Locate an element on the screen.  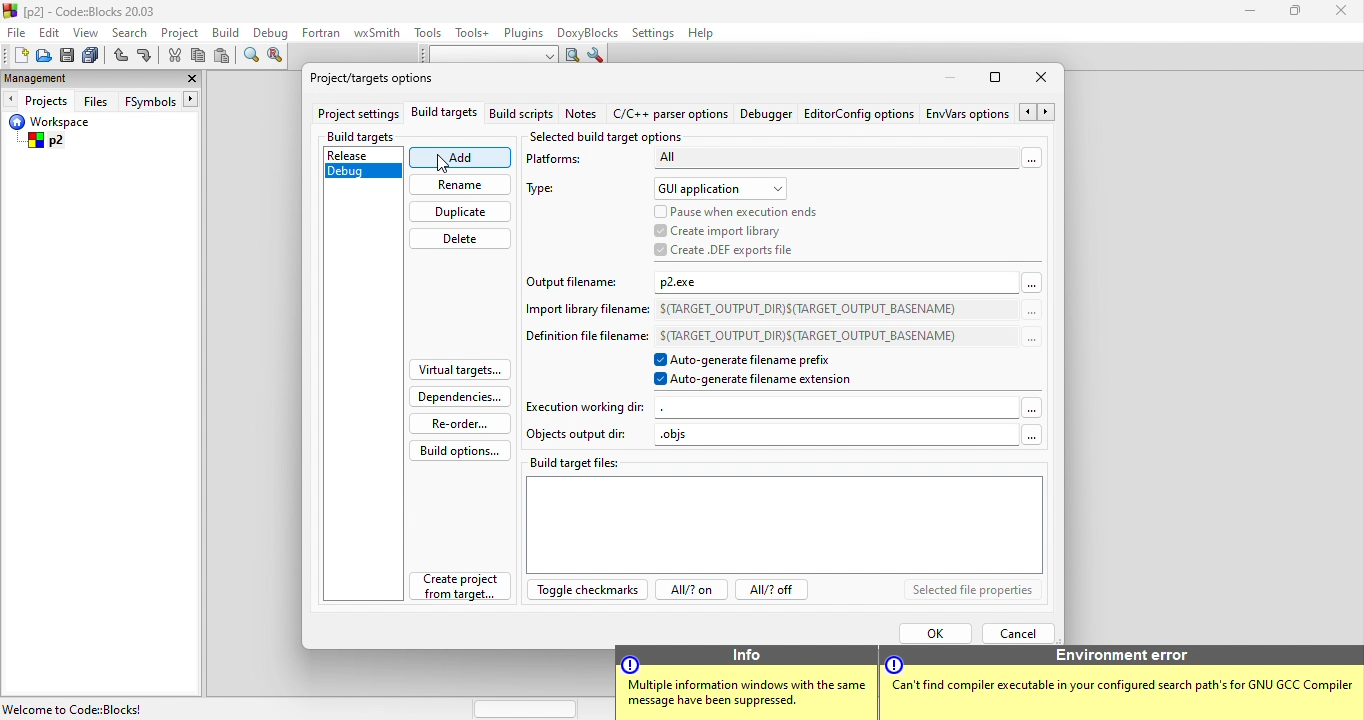
run search is located at coordinates (571, 55).